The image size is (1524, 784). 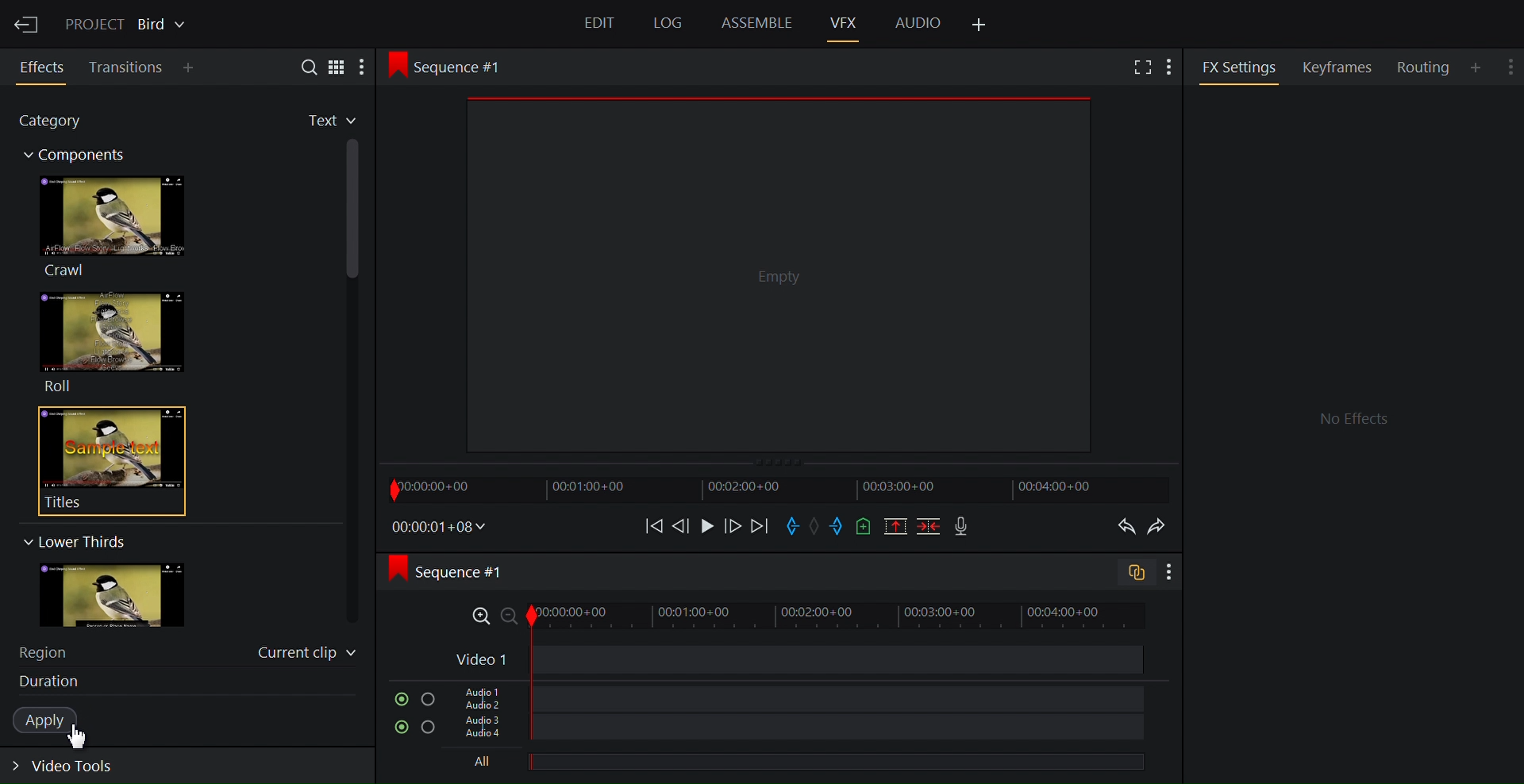 What do you see at coordinates (59, 123) in the screenshot?
I see `Category` at bounding box center [59, 123].